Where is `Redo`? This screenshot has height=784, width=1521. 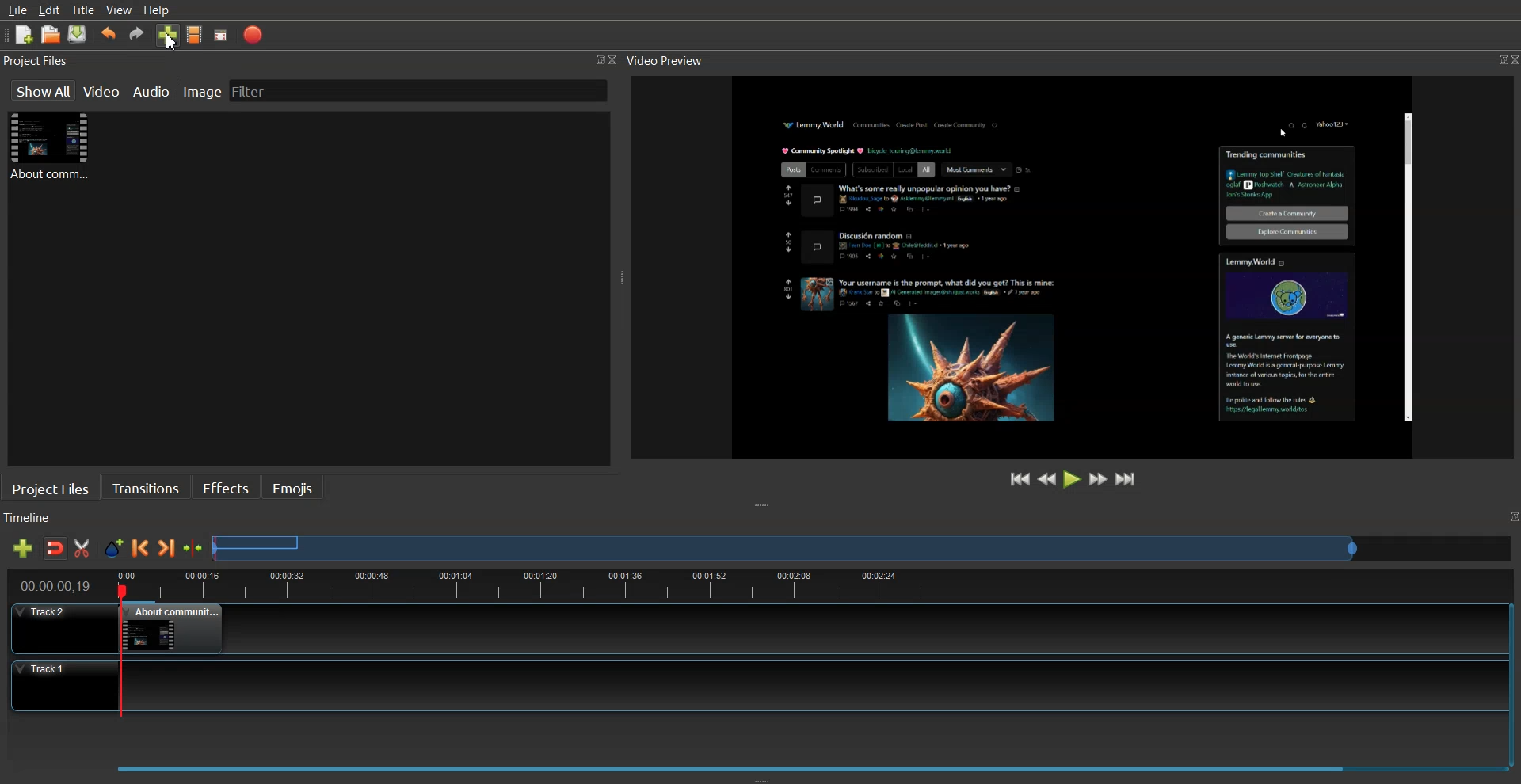
Redo is located at coordinates (137, 33).